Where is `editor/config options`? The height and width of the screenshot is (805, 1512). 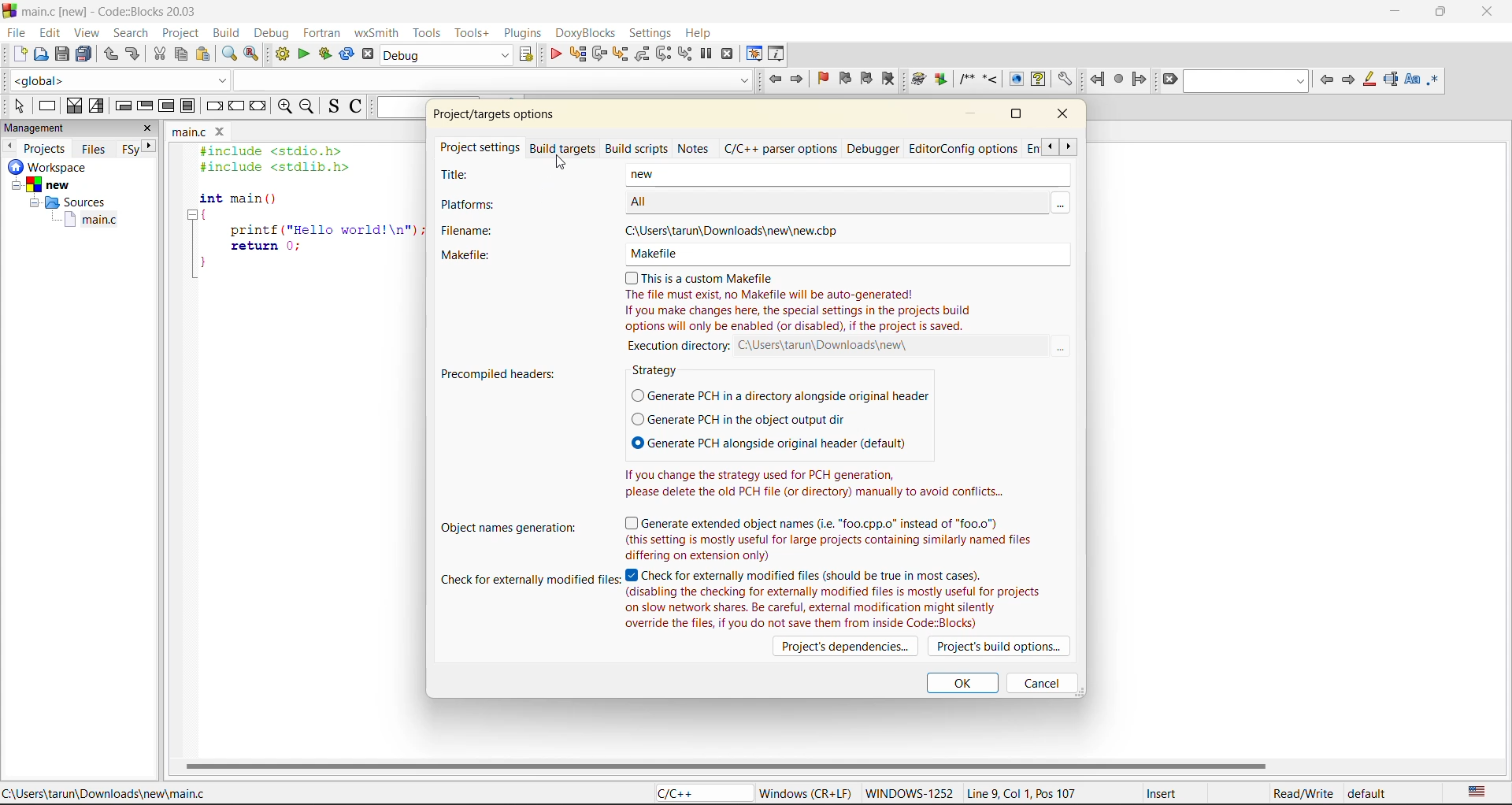
editor/config options is located at coordinates (973, 150).